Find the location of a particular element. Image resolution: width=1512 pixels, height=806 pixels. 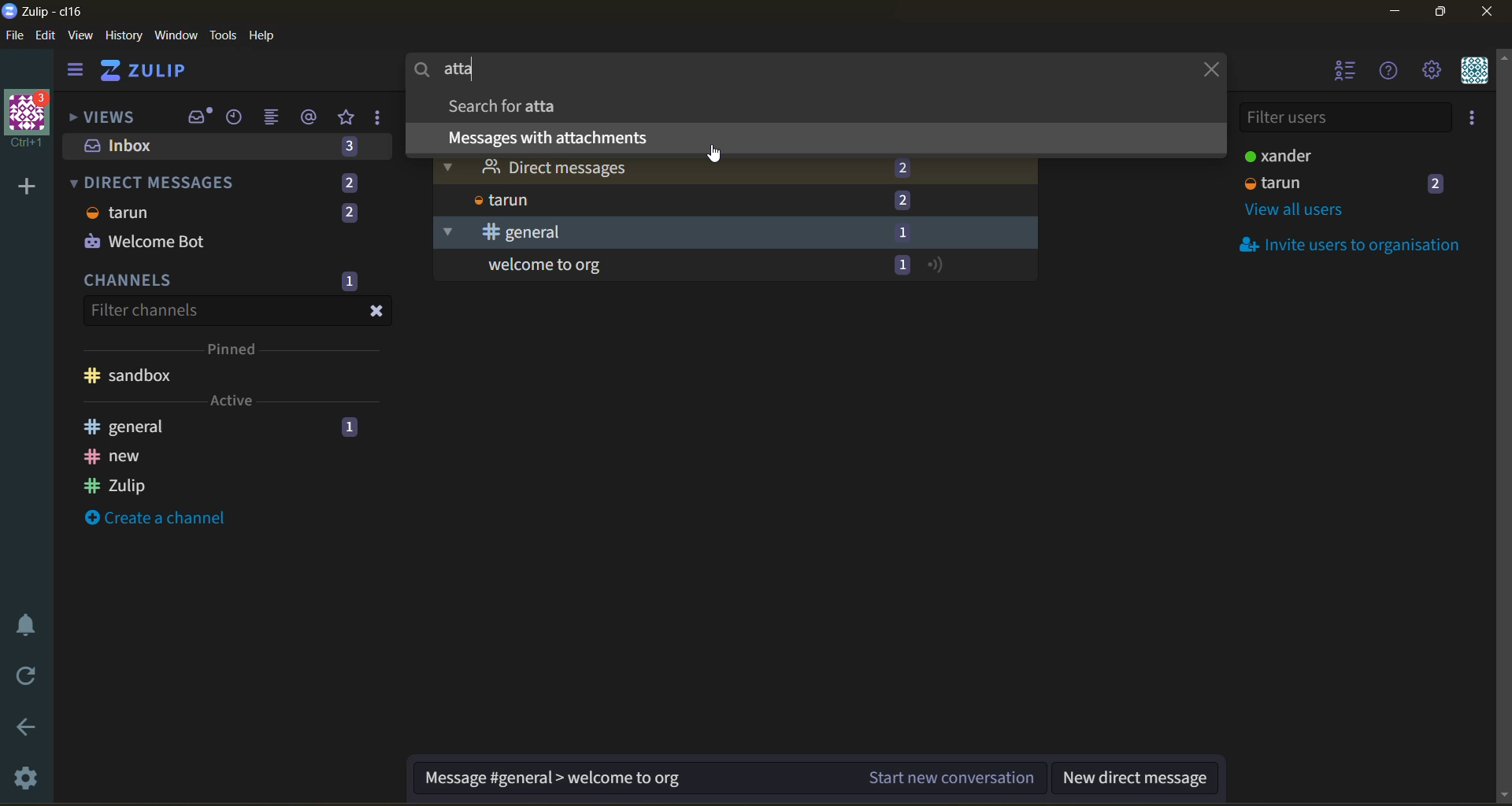

1 is located at coordinates (903, 233).